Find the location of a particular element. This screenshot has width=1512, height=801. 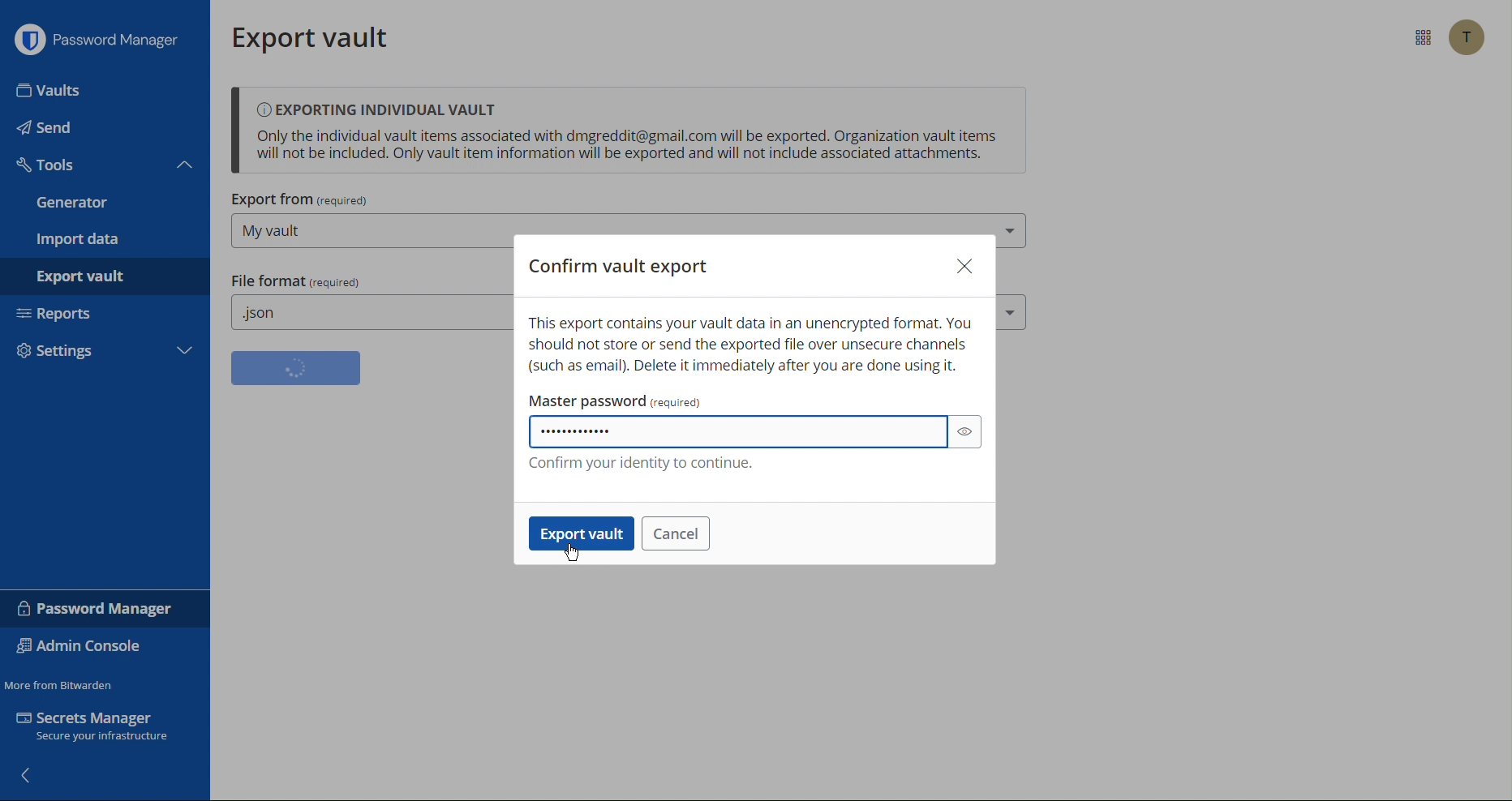

Confirm vault export is located at coordinates (617, 266).